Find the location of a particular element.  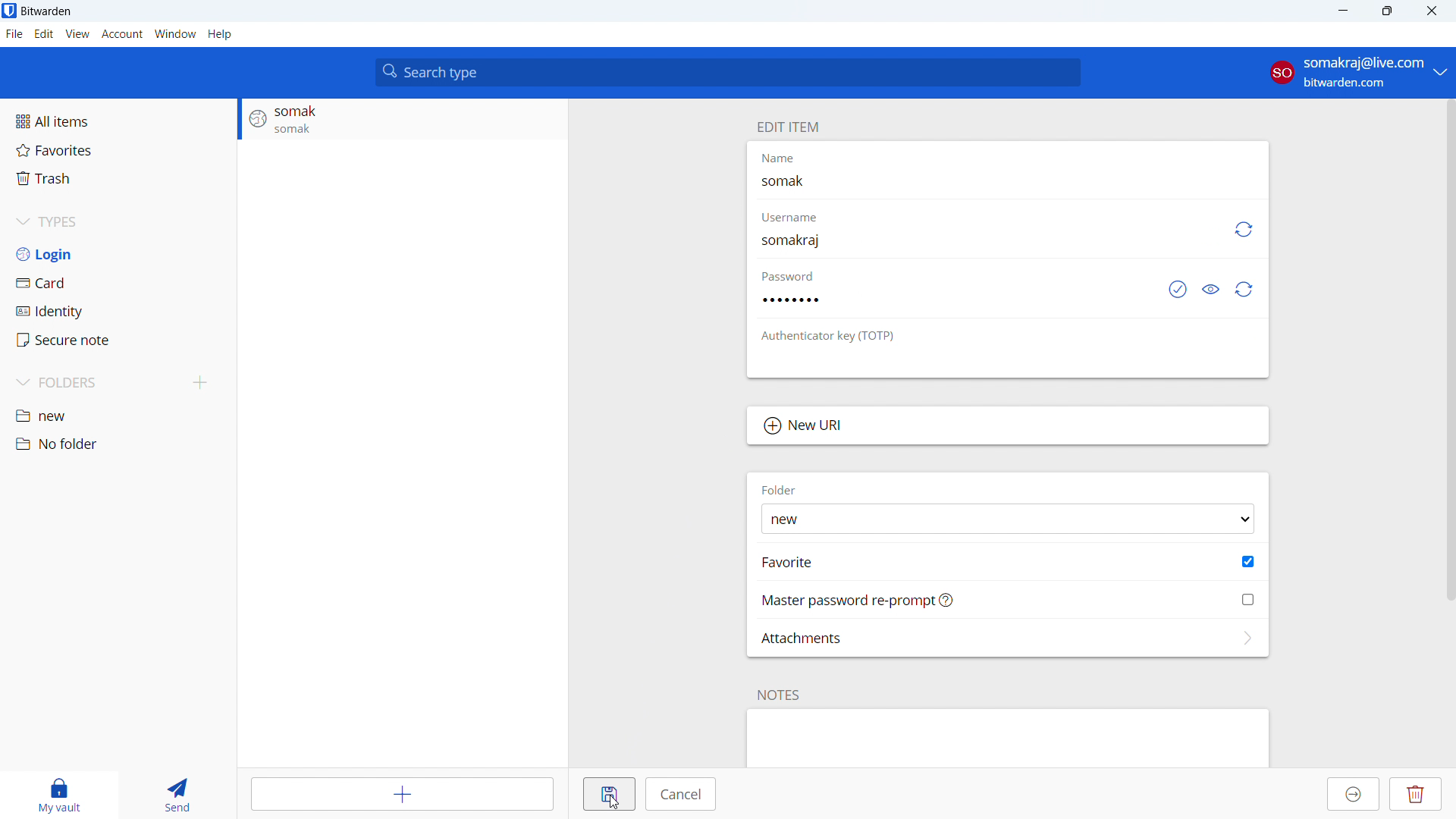

title is located at coordinates (46, 11).